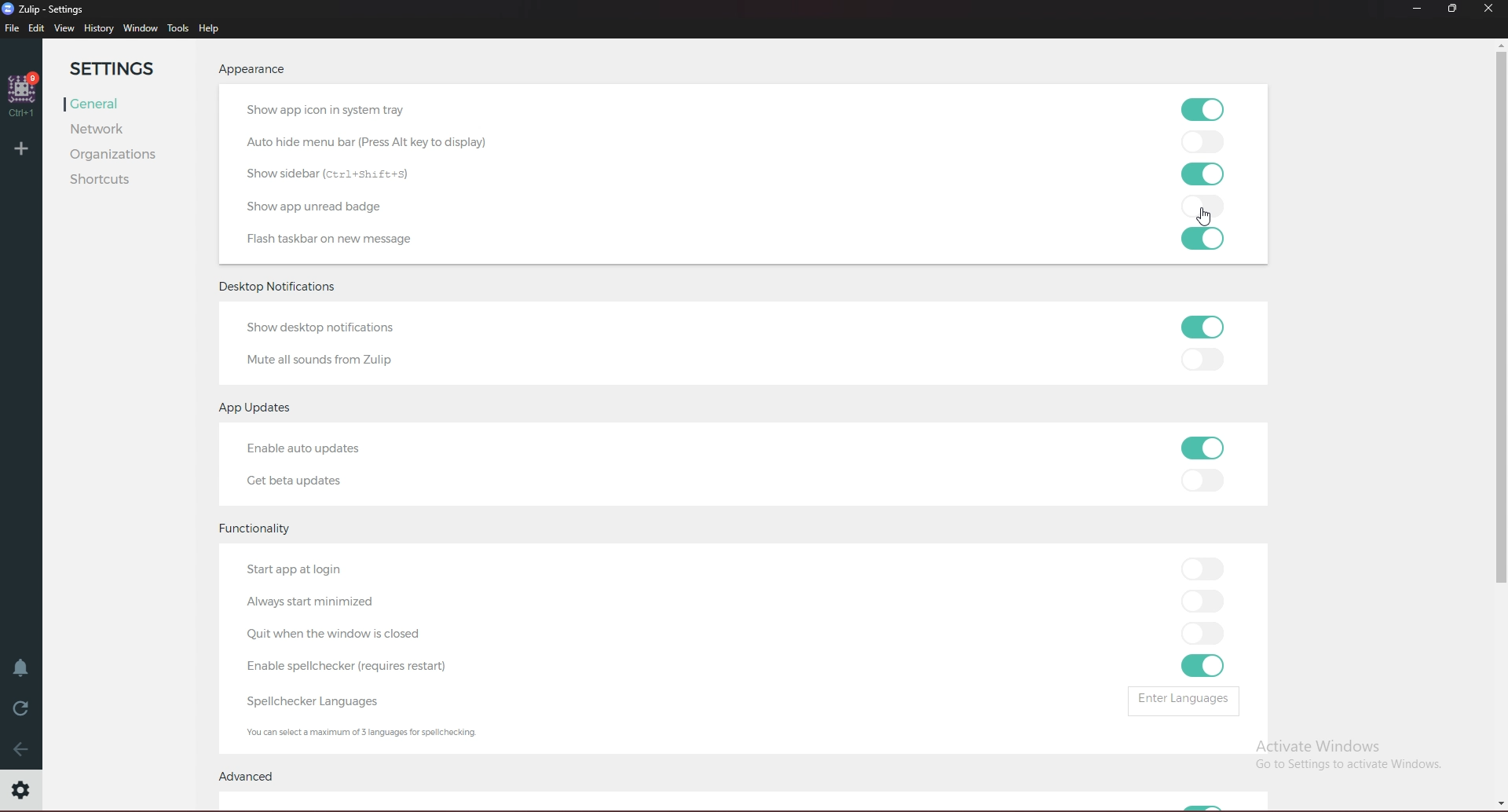 The height and width of the screenshot is (812, 1508). What do you see at coordinates (123, 68) in the screenshot?
I see `Settings` at bounding box center [123, 68].